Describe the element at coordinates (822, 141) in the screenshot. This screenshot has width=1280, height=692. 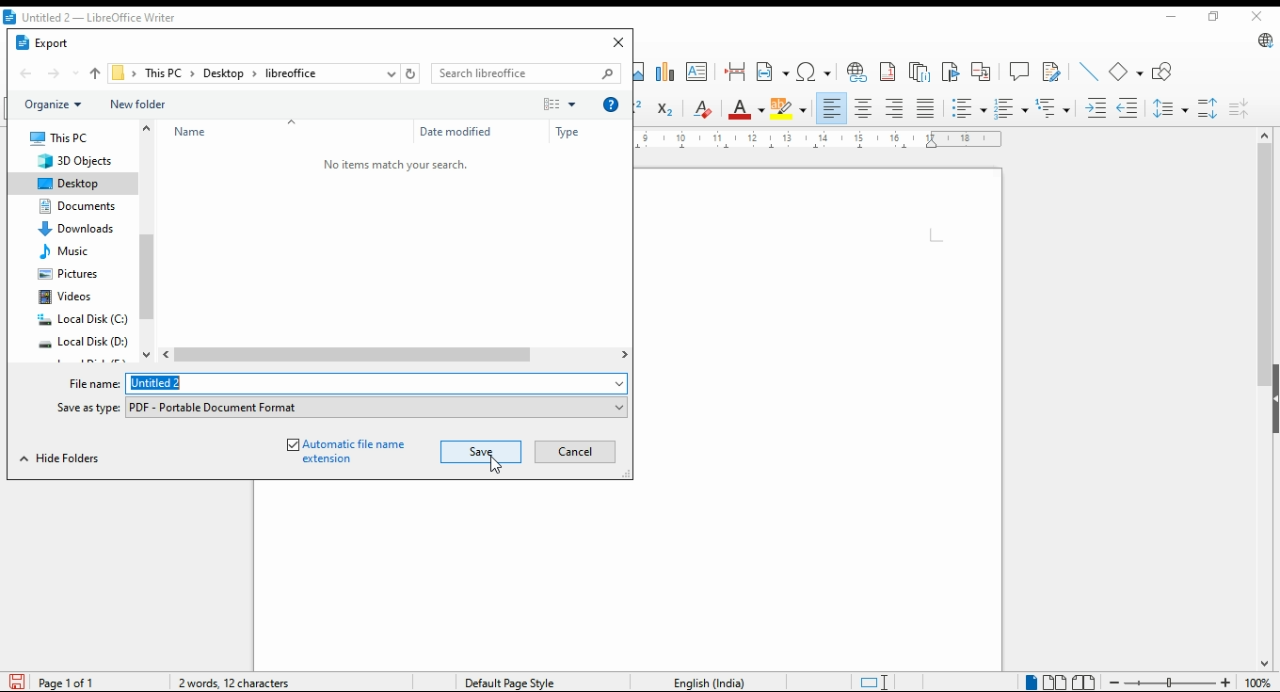
I see `ruler` at that location.